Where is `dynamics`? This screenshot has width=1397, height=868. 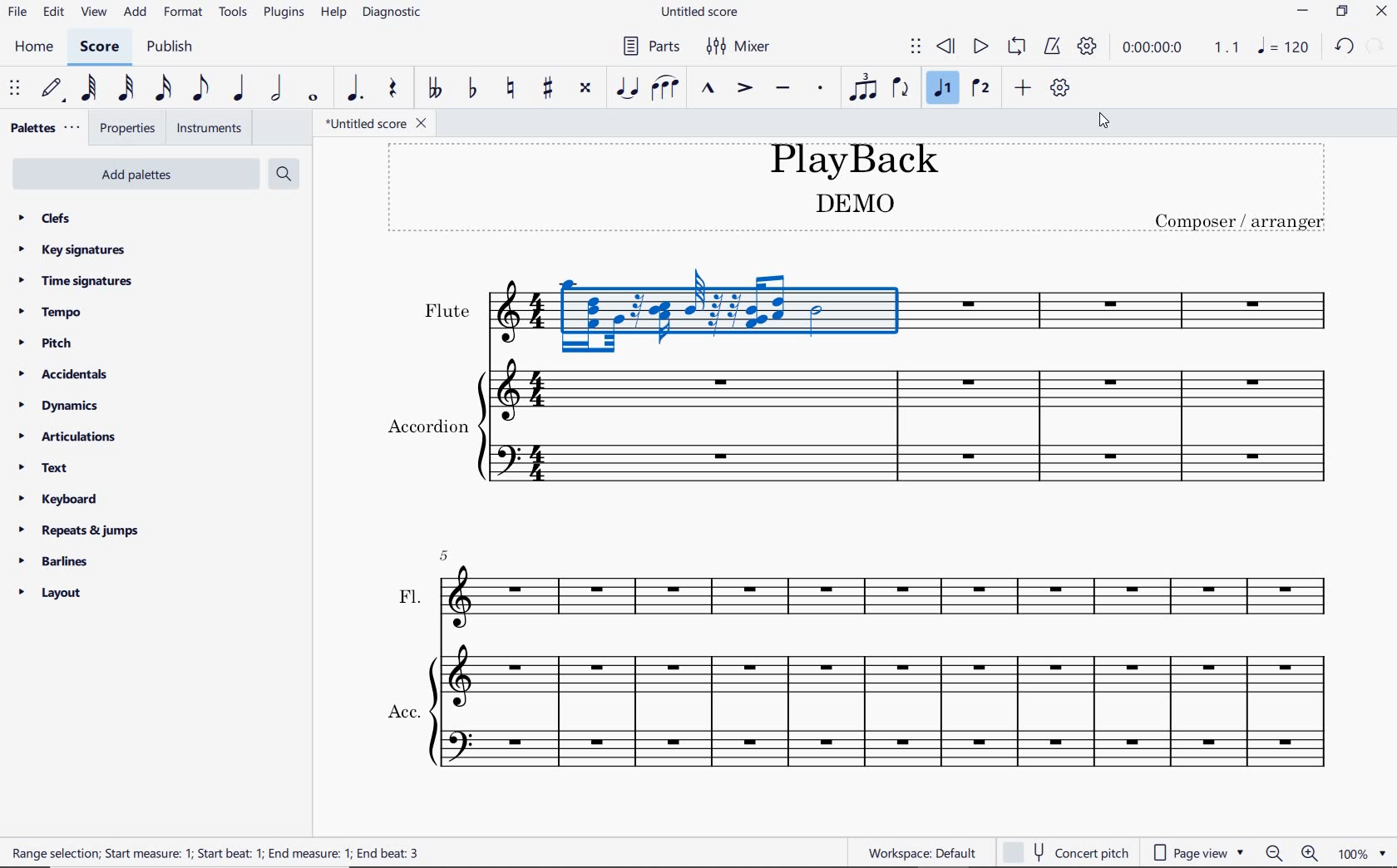
dynamics is located at coordinates (59, 407).